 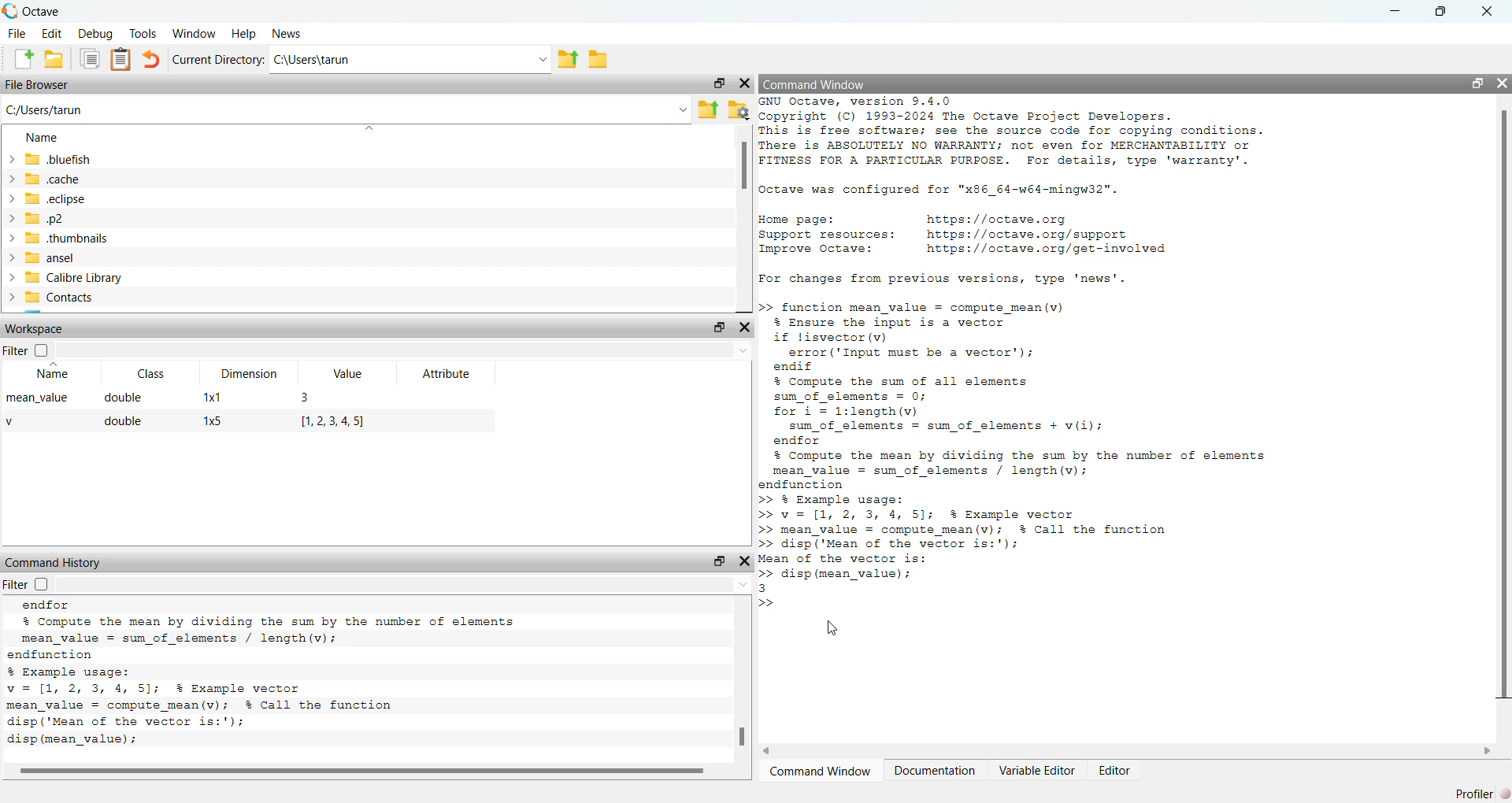 What do you see at coordinates (195, 33) in the screenshot?
I see `window` at bounding box center [195, 33].